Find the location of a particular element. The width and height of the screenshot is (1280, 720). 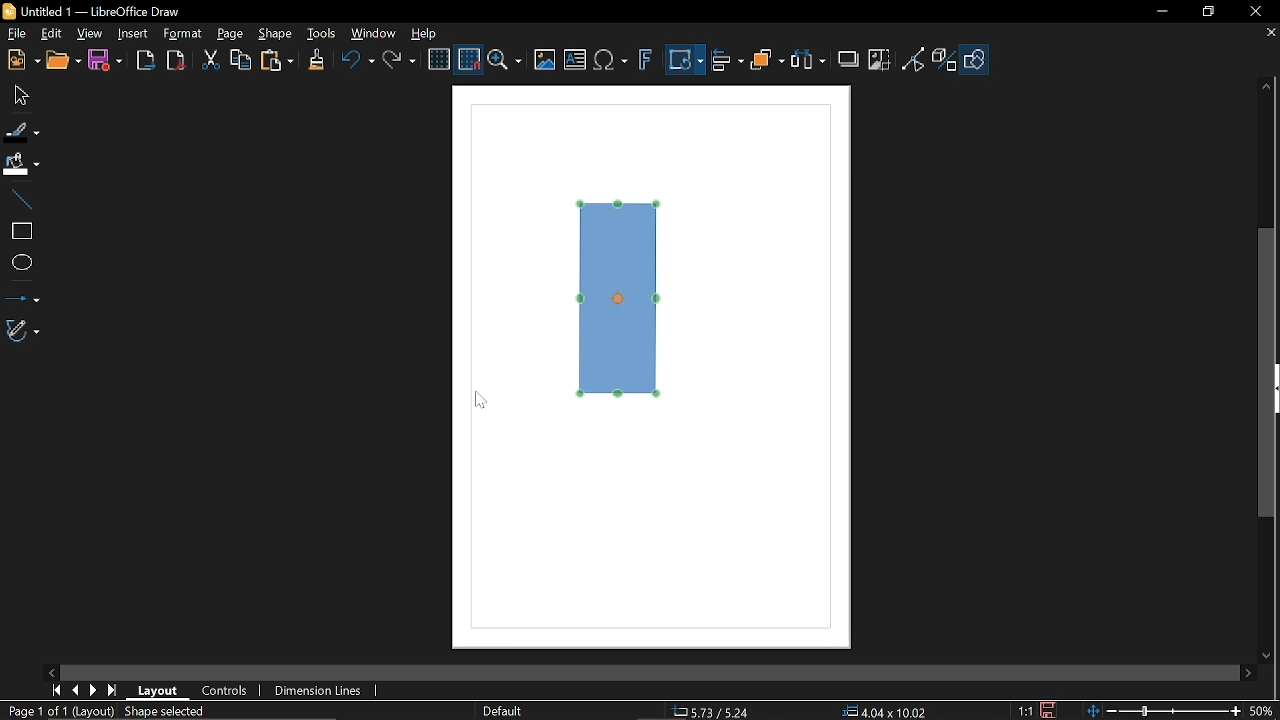

Shape is located at coordinates (278, 35).